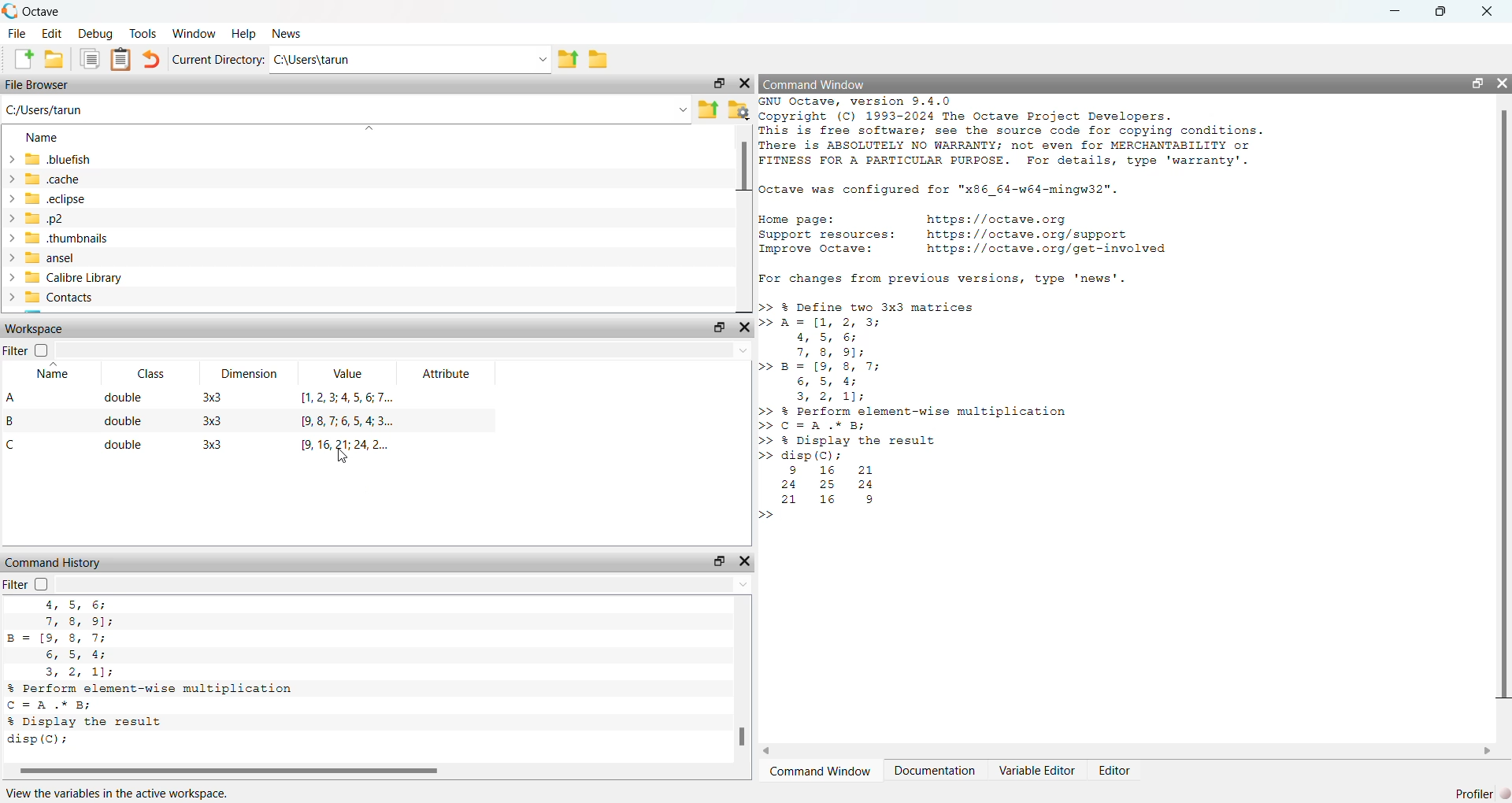 Image resolution: width=1512 pixels, height=803 pixels. What do you see at coordinates (207, 398) in the screenshot?
I see `A double 33 1,2,3;4567..` at bounding box center [207, 398].